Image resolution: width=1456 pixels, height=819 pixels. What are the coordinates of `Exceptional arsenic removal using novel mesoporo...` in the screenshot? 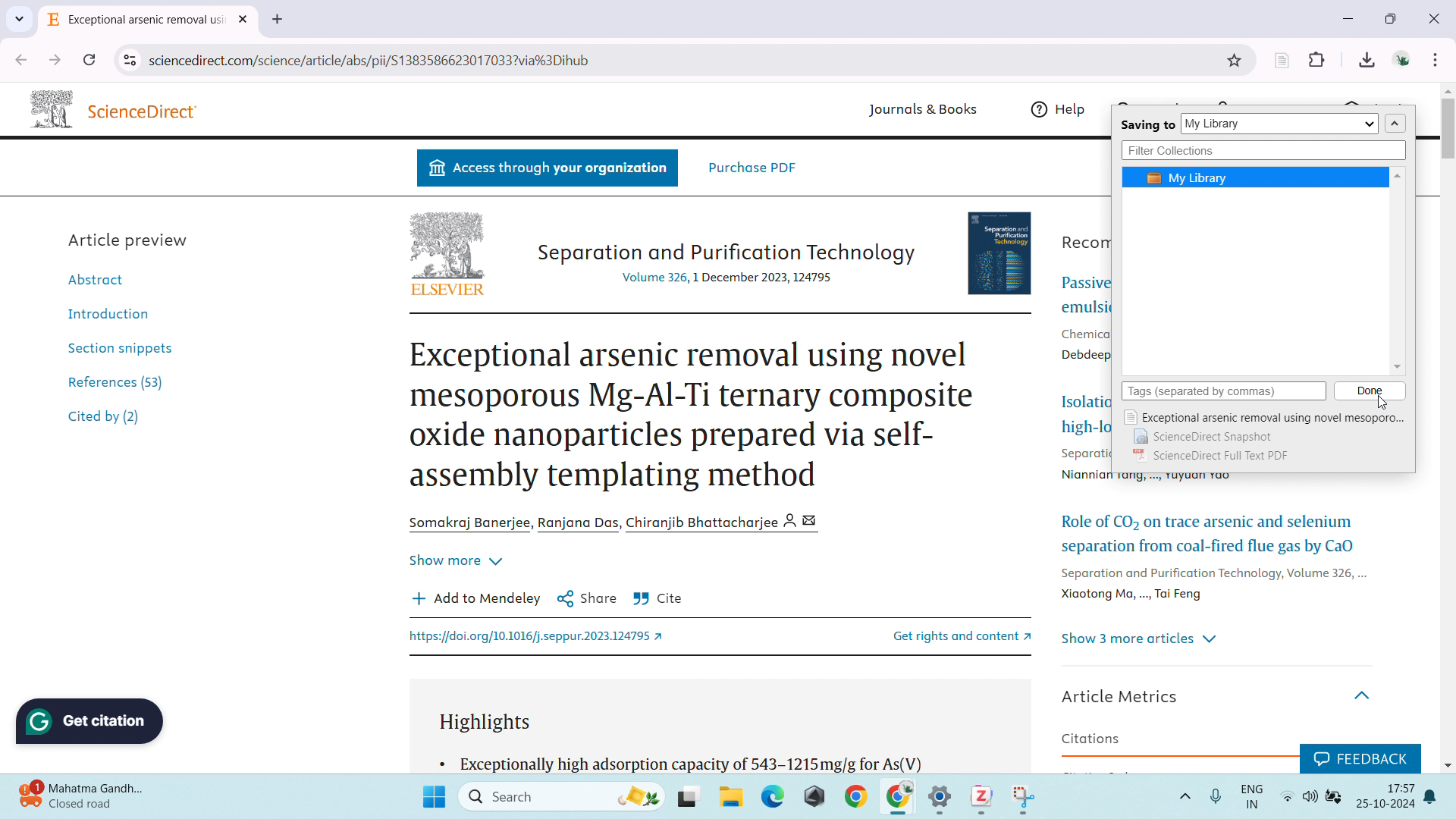 It's located at (1264, 418).